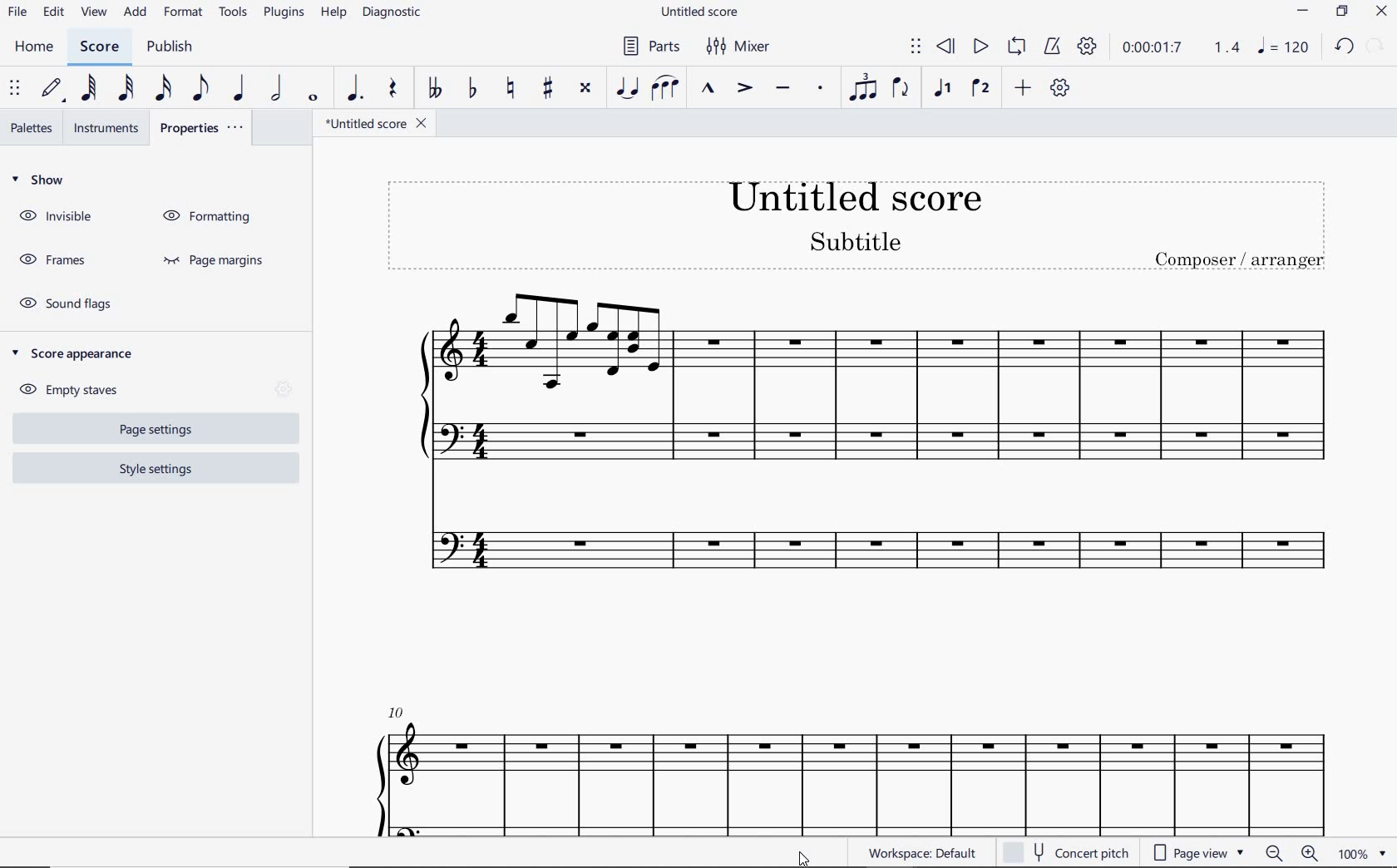 This screenshot has height=868, width=1397. I want to click on FORMATTING, so click(211, 217).